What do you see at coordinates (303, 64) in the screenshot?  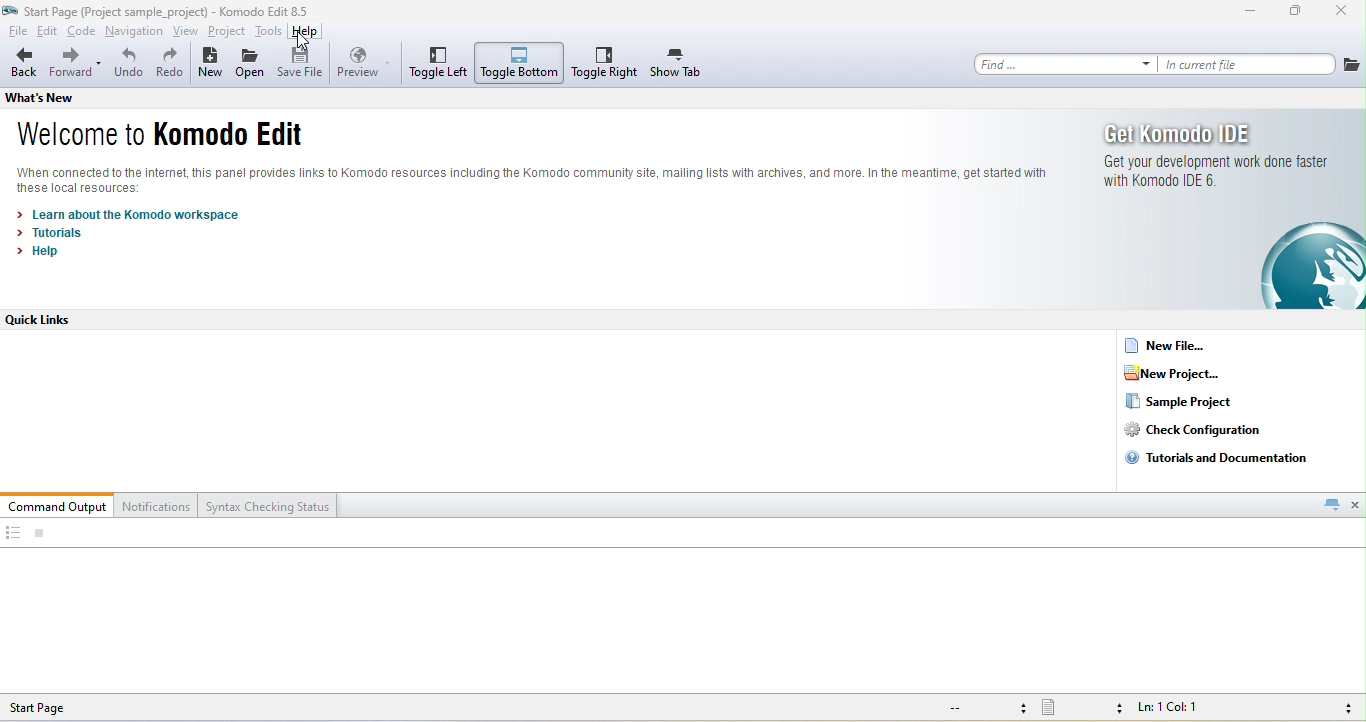 I see `save file` at bounding box center [303, 64].